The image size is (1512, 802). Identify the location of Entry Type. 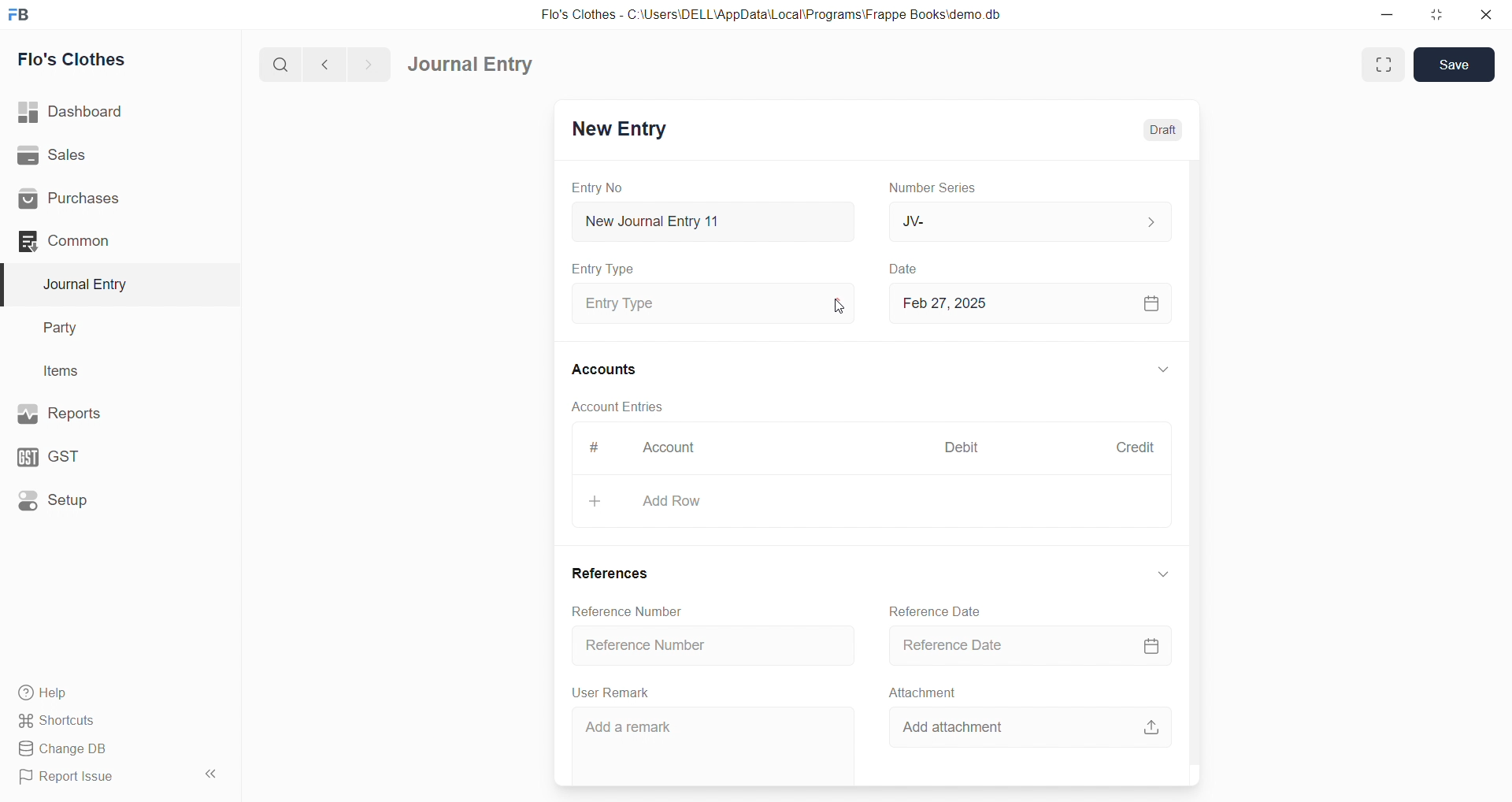
(715, 303).